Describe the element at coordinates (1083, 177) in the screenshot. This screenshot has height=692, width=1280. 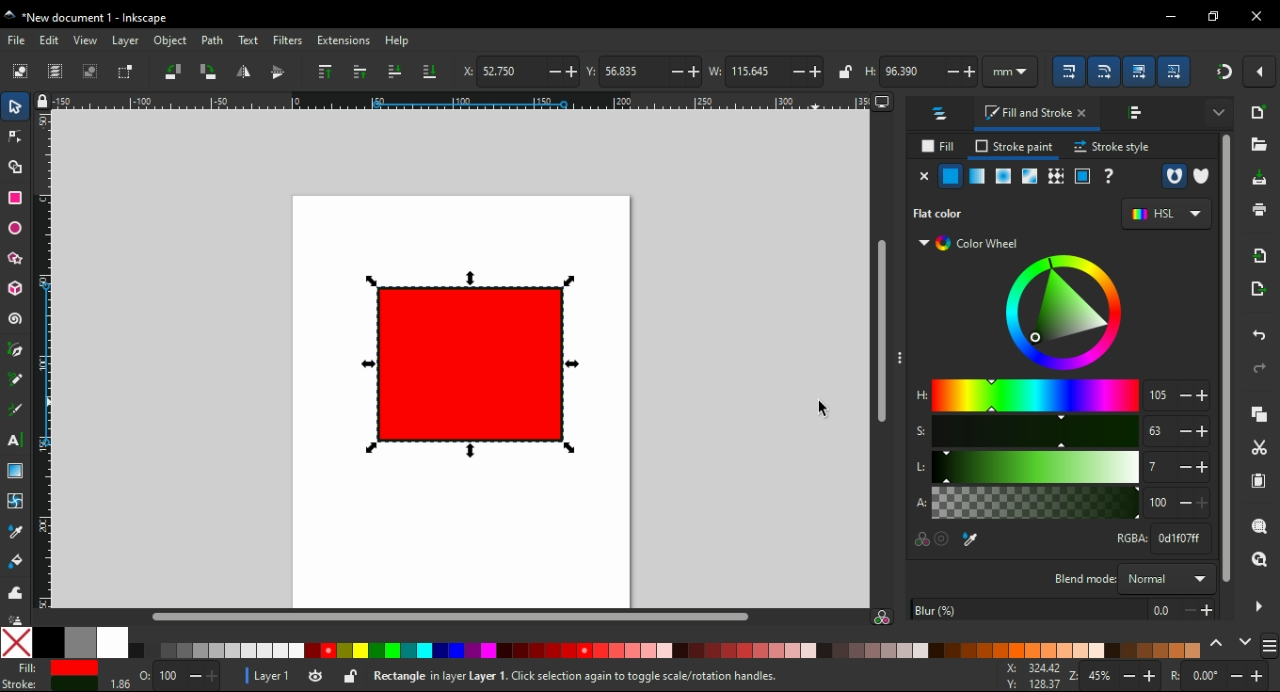
I see `swatch` at that location.